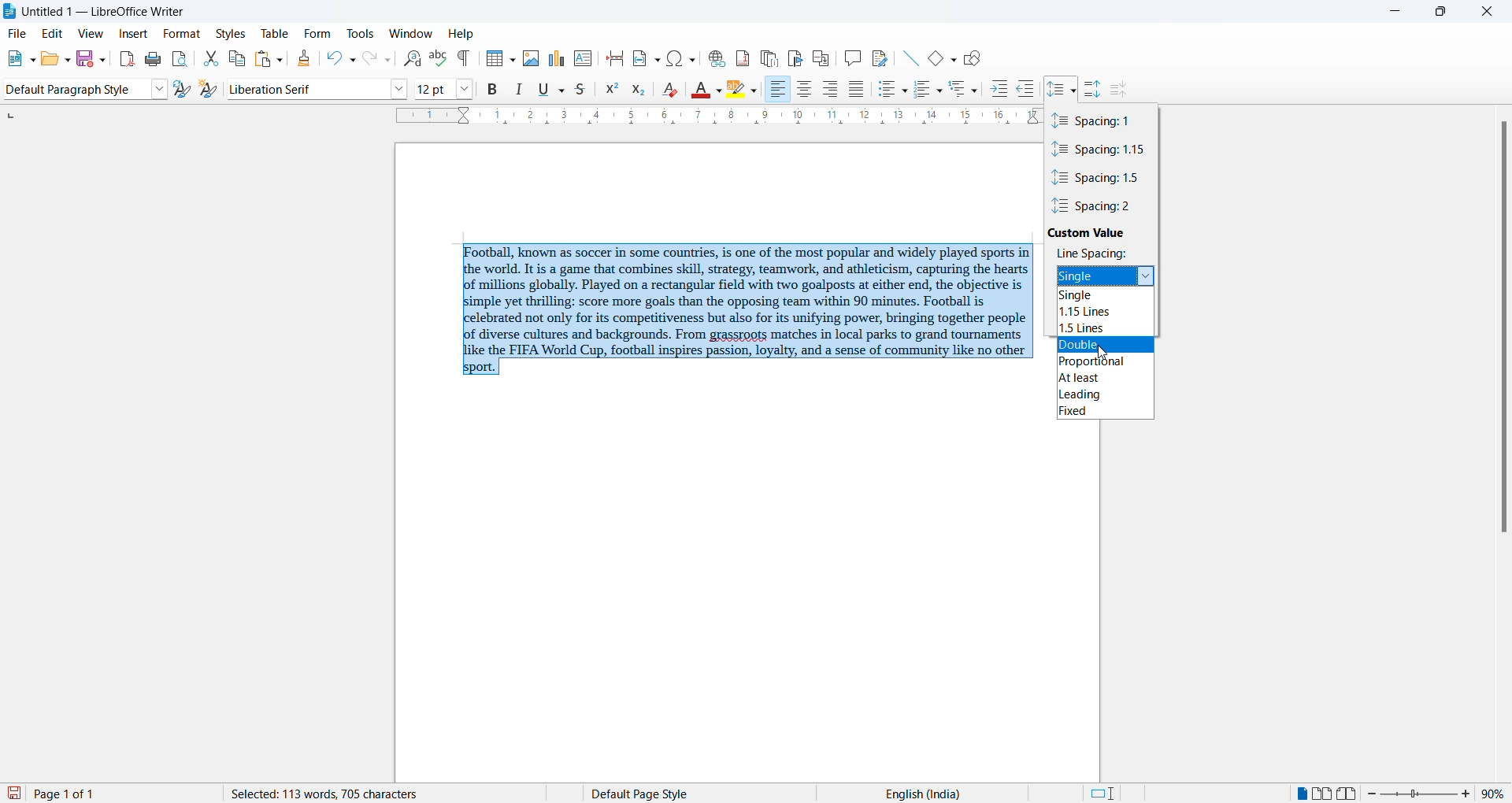 This screenshot has width=1512, height=803. I want to click on insert text, so click(584, 58).